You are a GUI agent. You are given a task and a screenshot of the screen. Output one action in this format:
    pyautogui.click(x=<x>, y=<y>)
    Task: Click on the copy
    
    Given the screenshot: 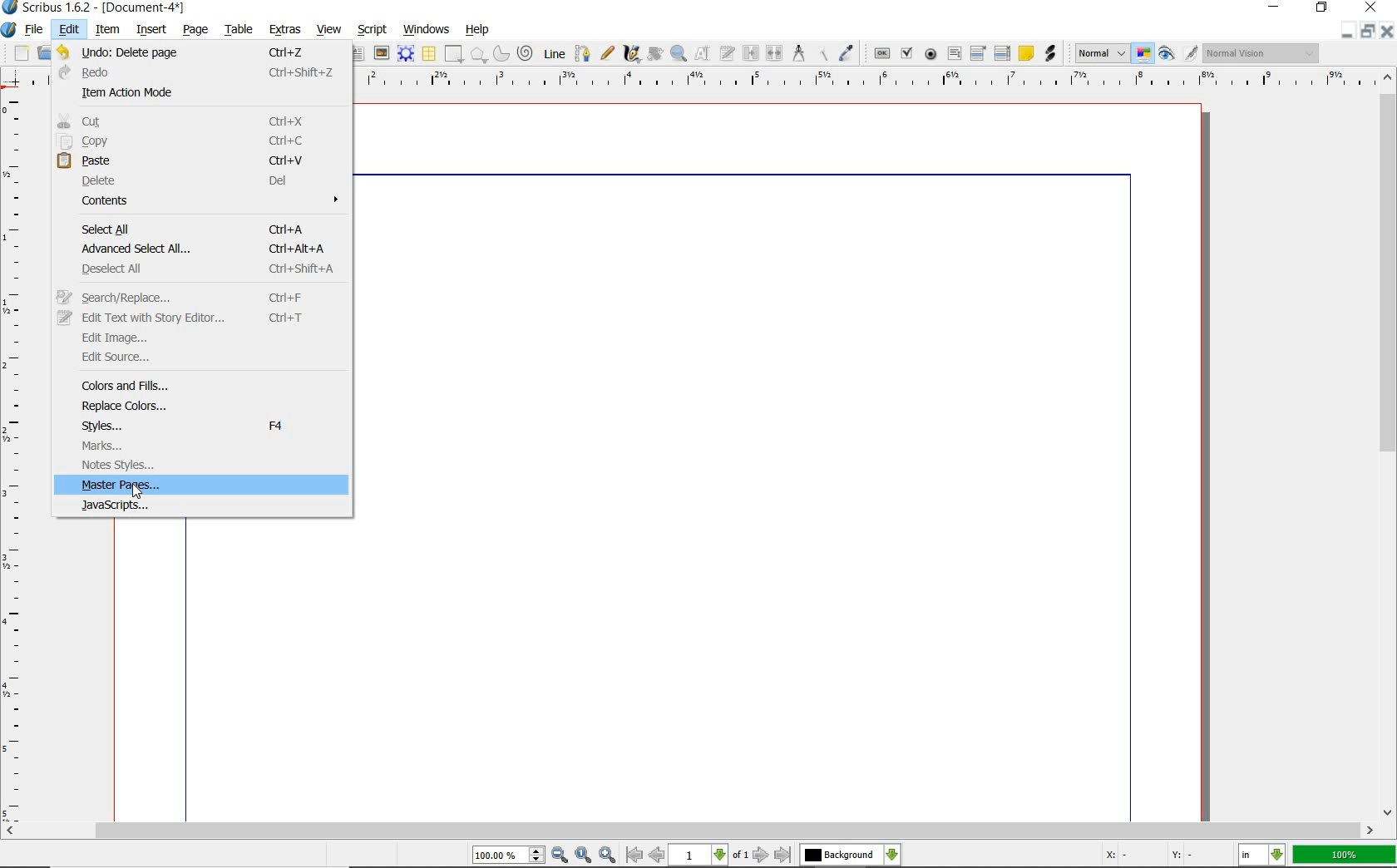 What is the action you would take?
    pyautogui.click(x=202, y=141)
    